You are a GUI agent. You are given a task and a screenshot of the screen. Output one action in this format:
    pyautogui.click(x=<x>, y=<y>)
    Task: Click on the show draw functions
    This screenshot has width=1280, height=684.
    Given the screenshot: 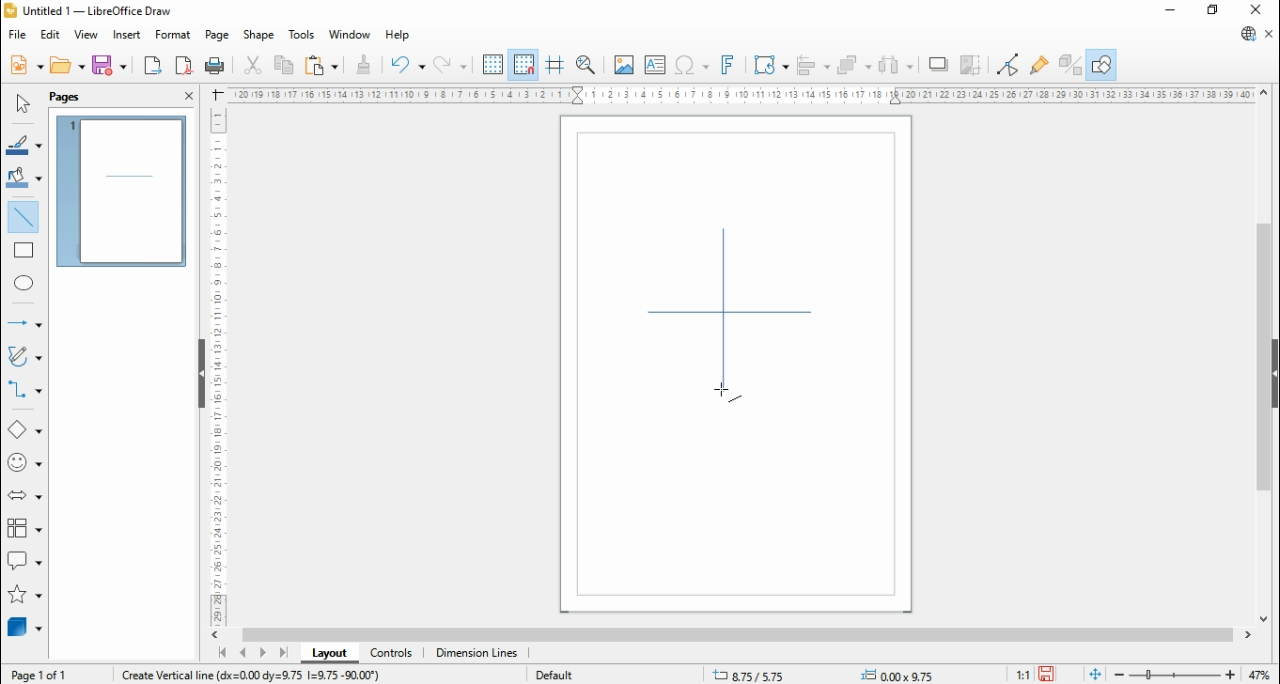 What is the action you would take?
    pyautogui.click(x=1103, y=64)
    